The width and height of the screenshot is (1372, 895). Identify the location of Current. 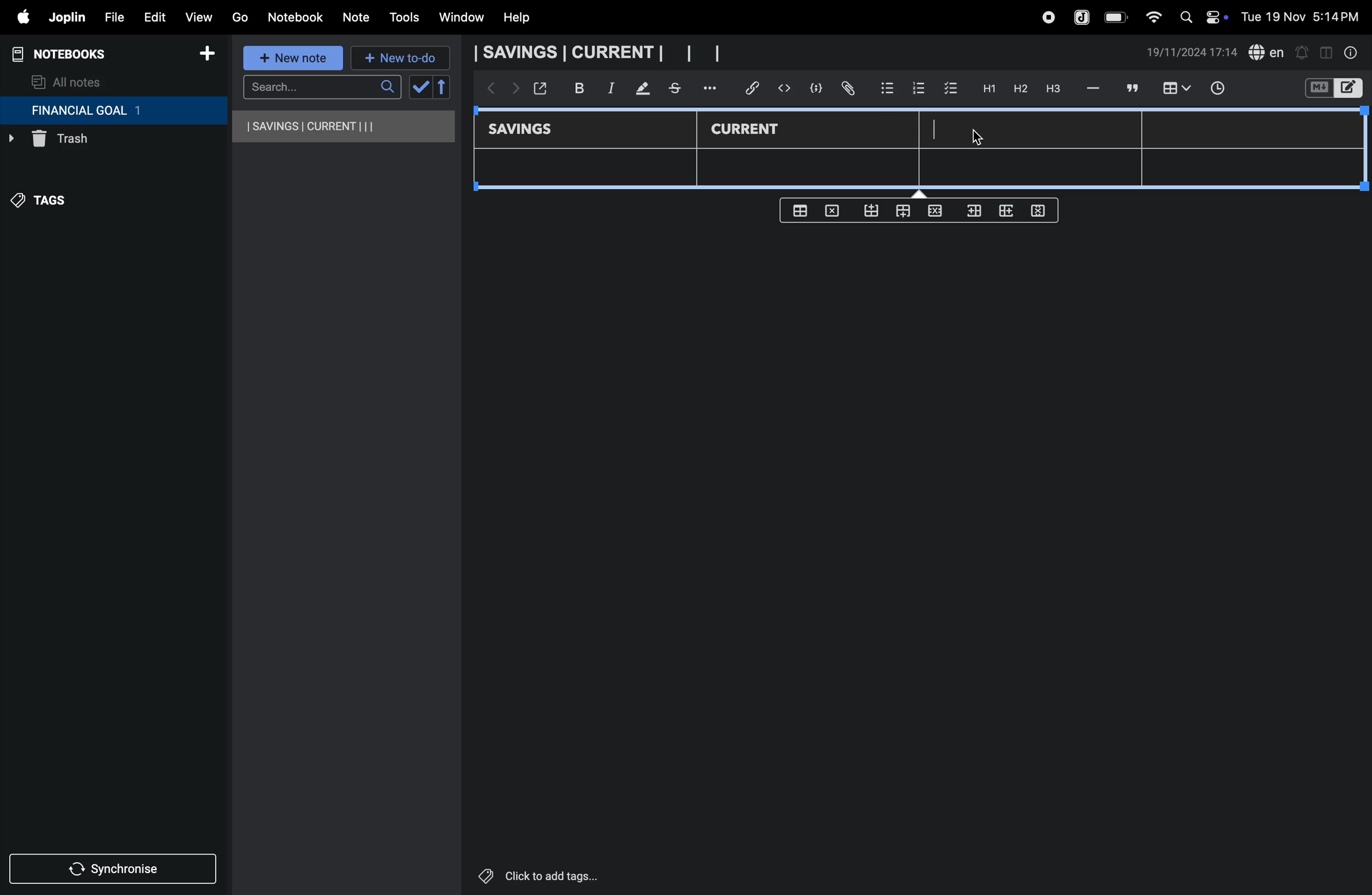
(753, 130).